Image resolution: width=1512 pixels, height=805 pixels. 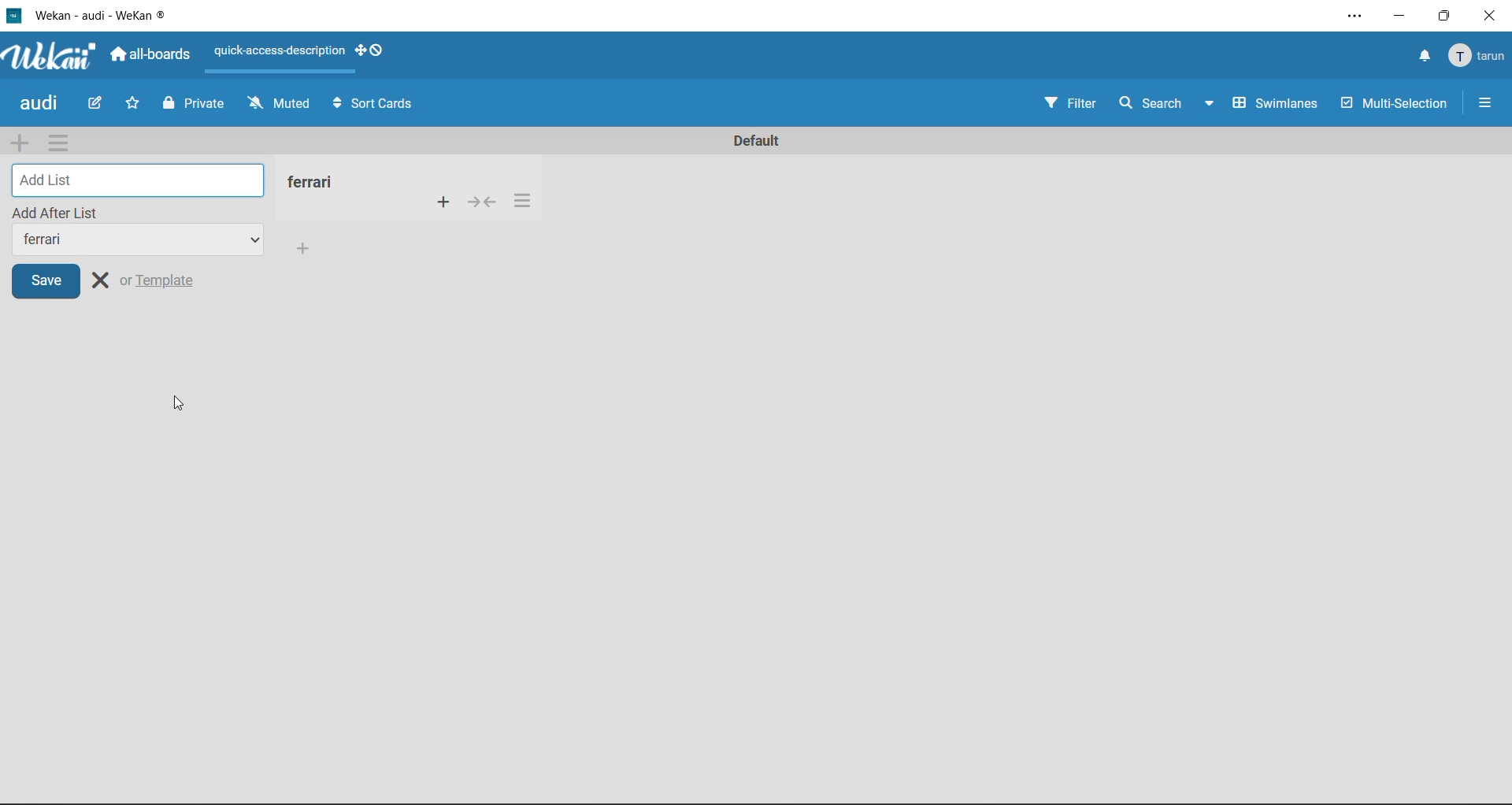 What do you see at coordinates (759, 142) in the screenshot?
I see `Default` at bounding box center [759, 142].